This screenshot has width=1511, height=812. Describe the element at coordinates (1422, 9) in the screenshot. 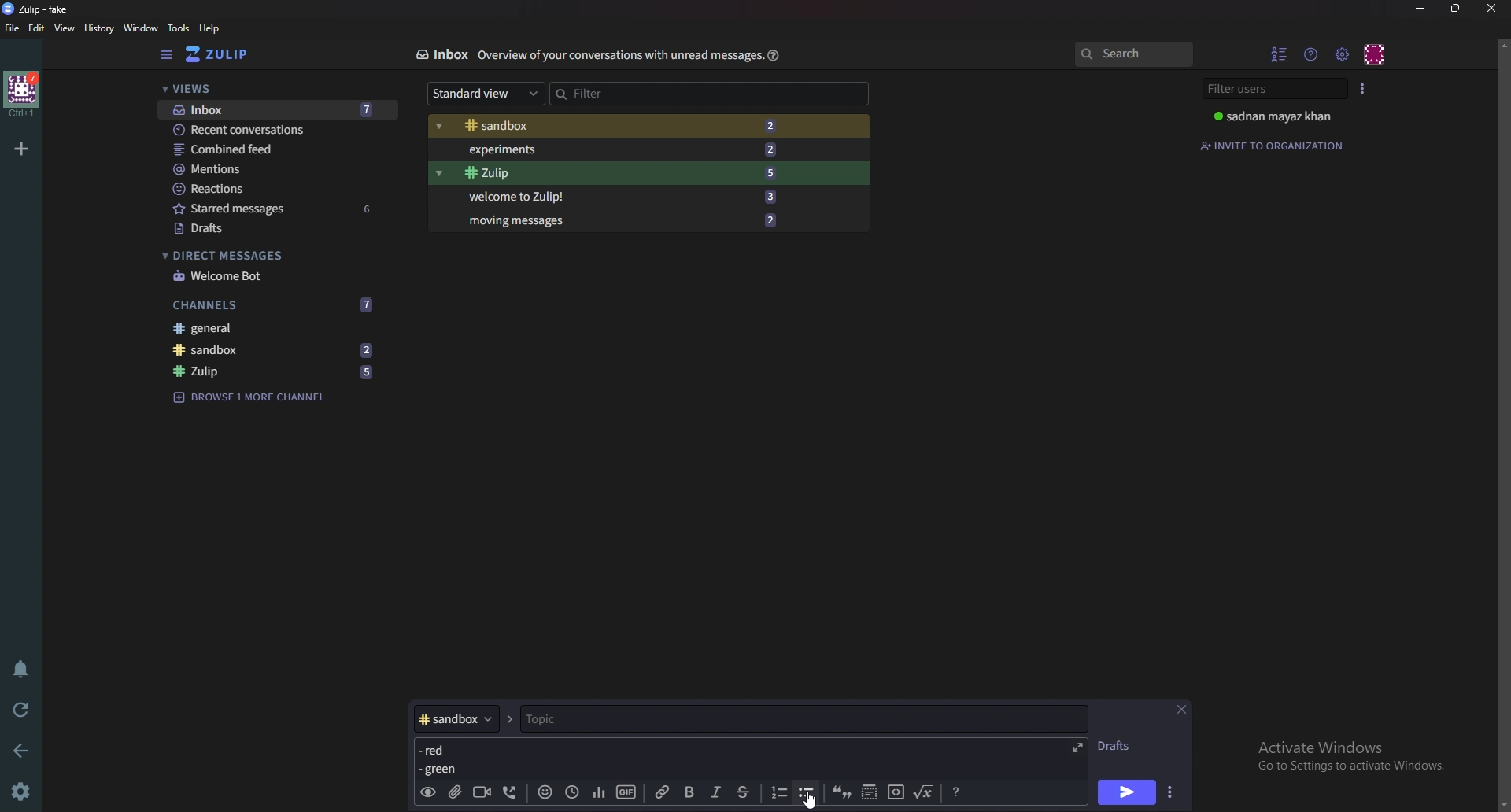

I see `Minimize` at that location.